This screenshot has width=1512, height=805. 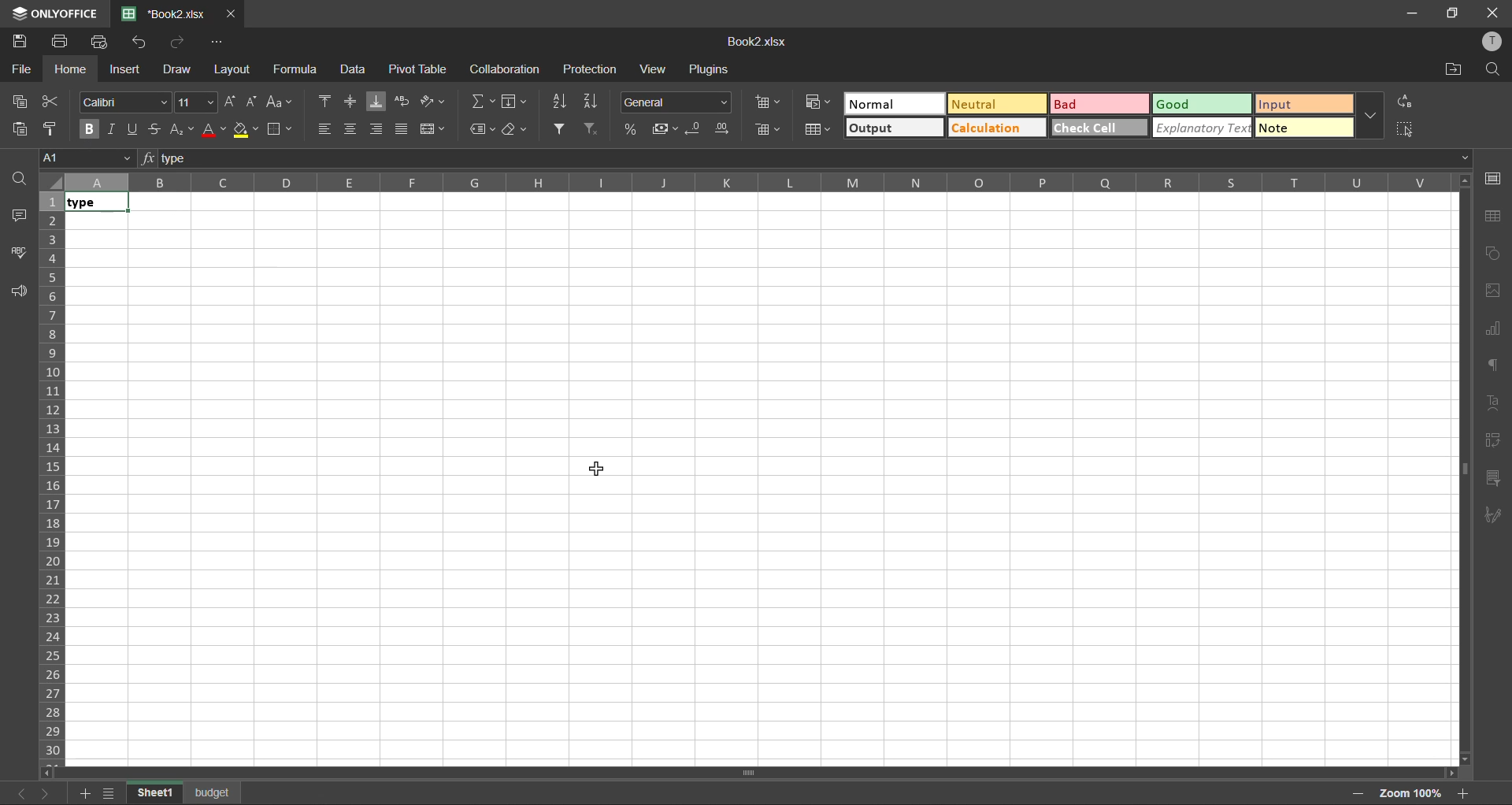 I want to click on select all, so click(x=1407, y=129).